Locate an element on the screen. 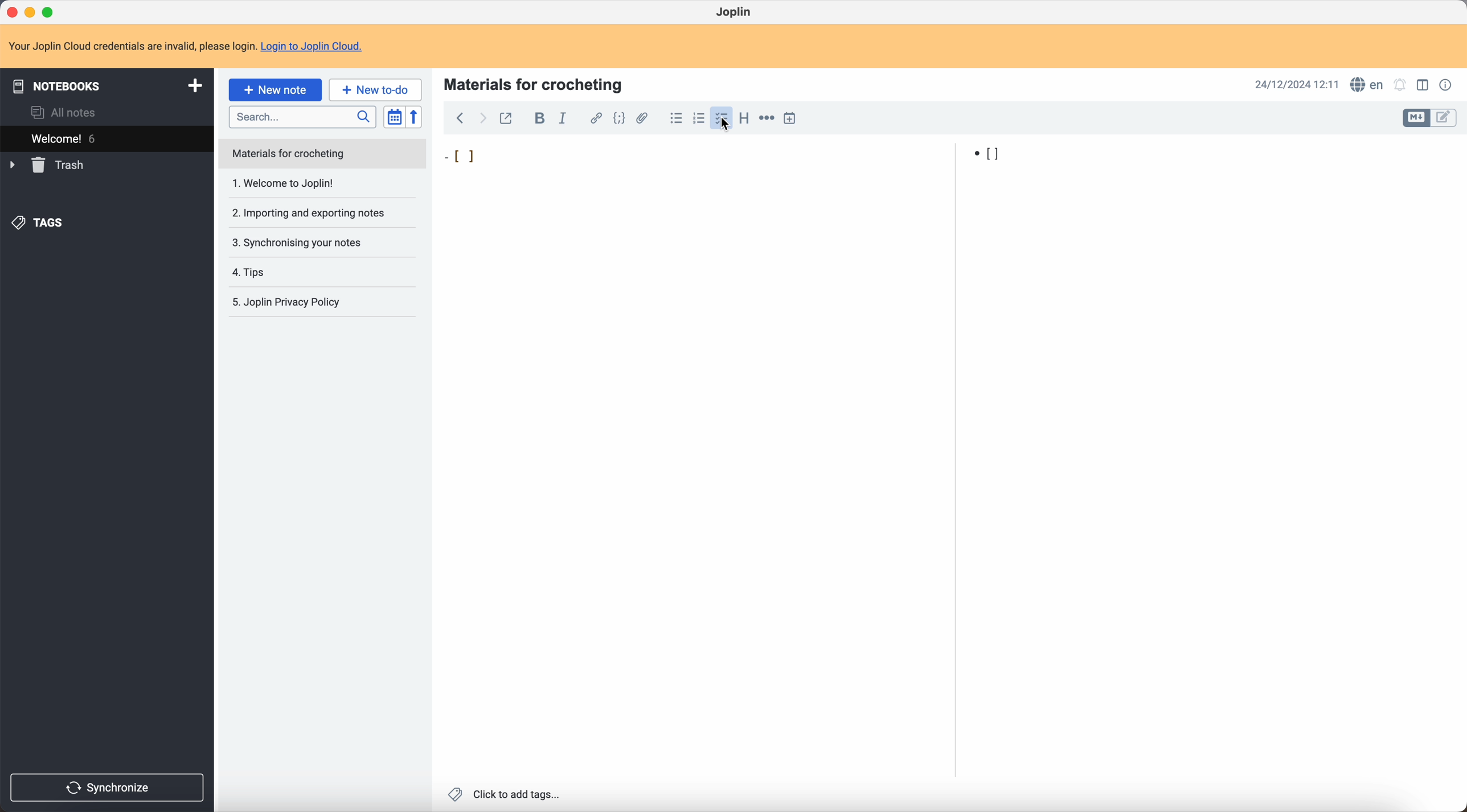  click on new note is located at coordinates (276, 89).